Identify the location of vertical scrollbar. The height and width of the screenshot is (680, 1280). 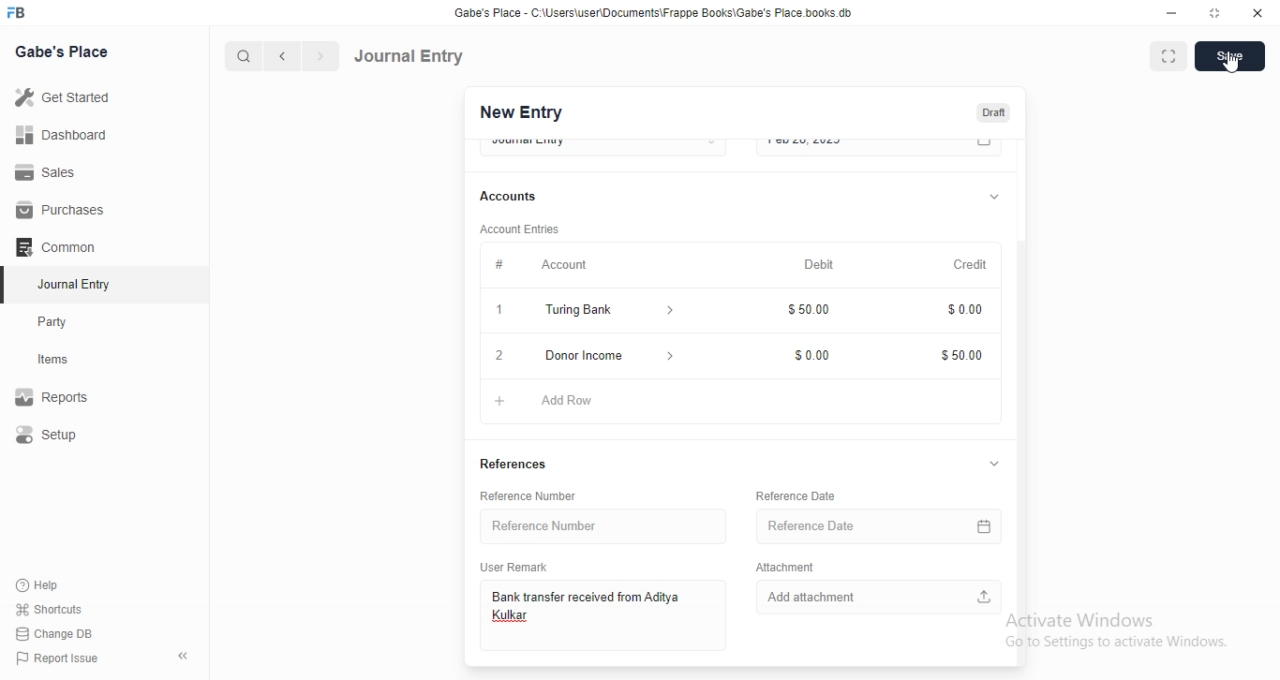
(1026, 451).